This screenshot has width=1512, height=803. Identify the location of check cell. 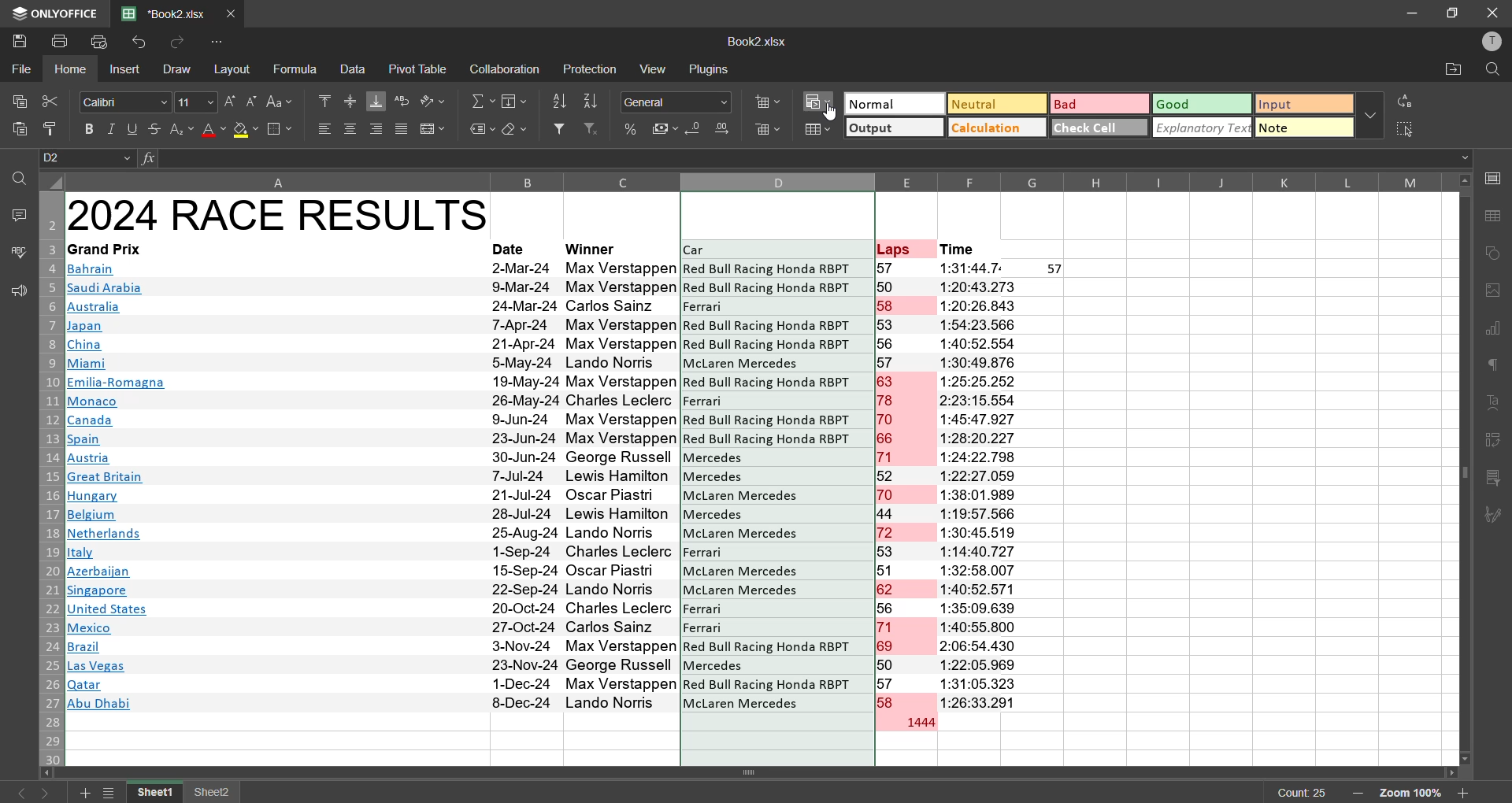
(1096, 126).